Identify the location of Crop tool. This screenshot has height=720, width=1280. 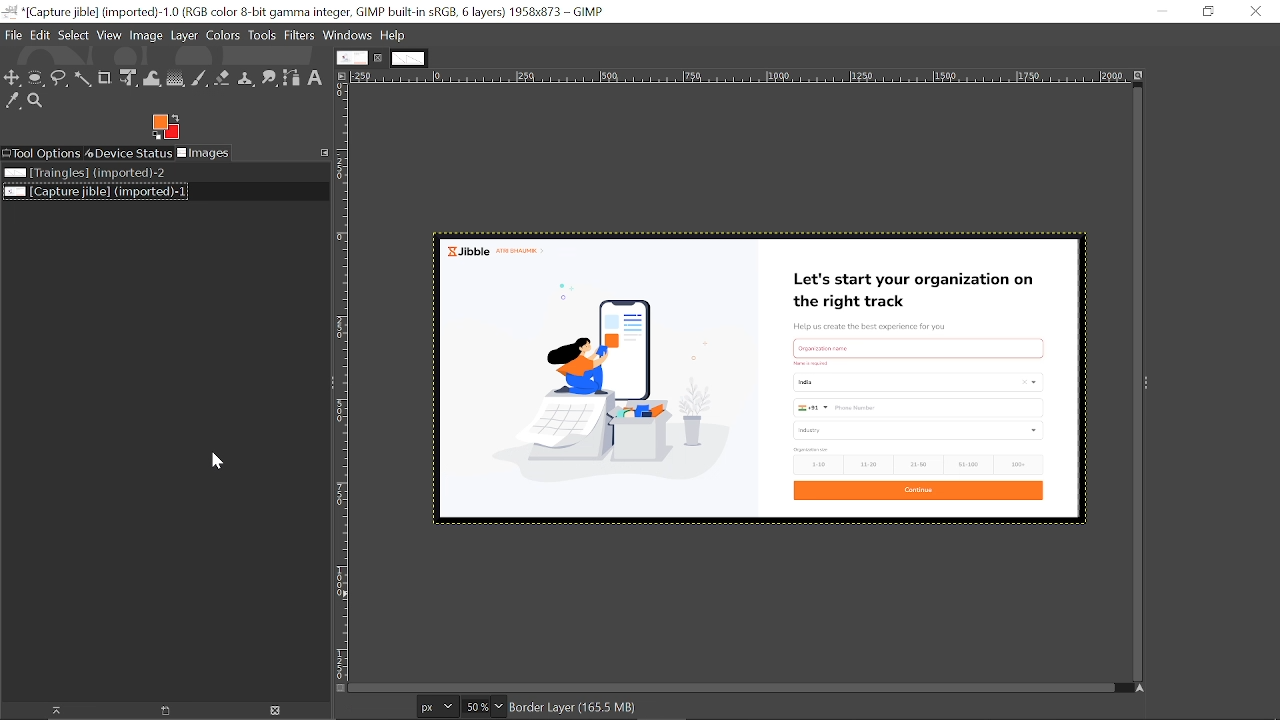
(105, 78).